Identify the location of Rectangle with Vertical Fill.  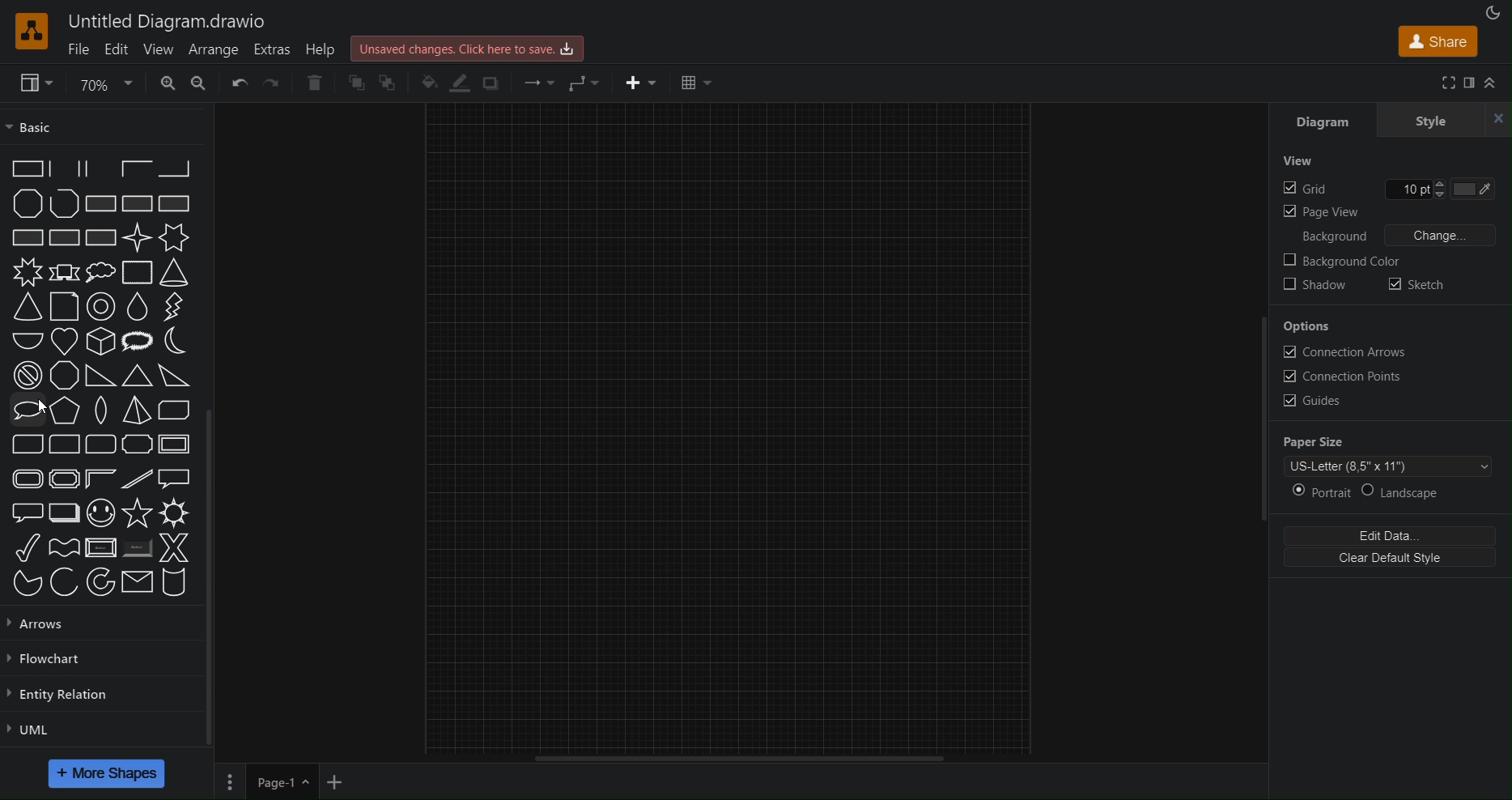
(174, 204).